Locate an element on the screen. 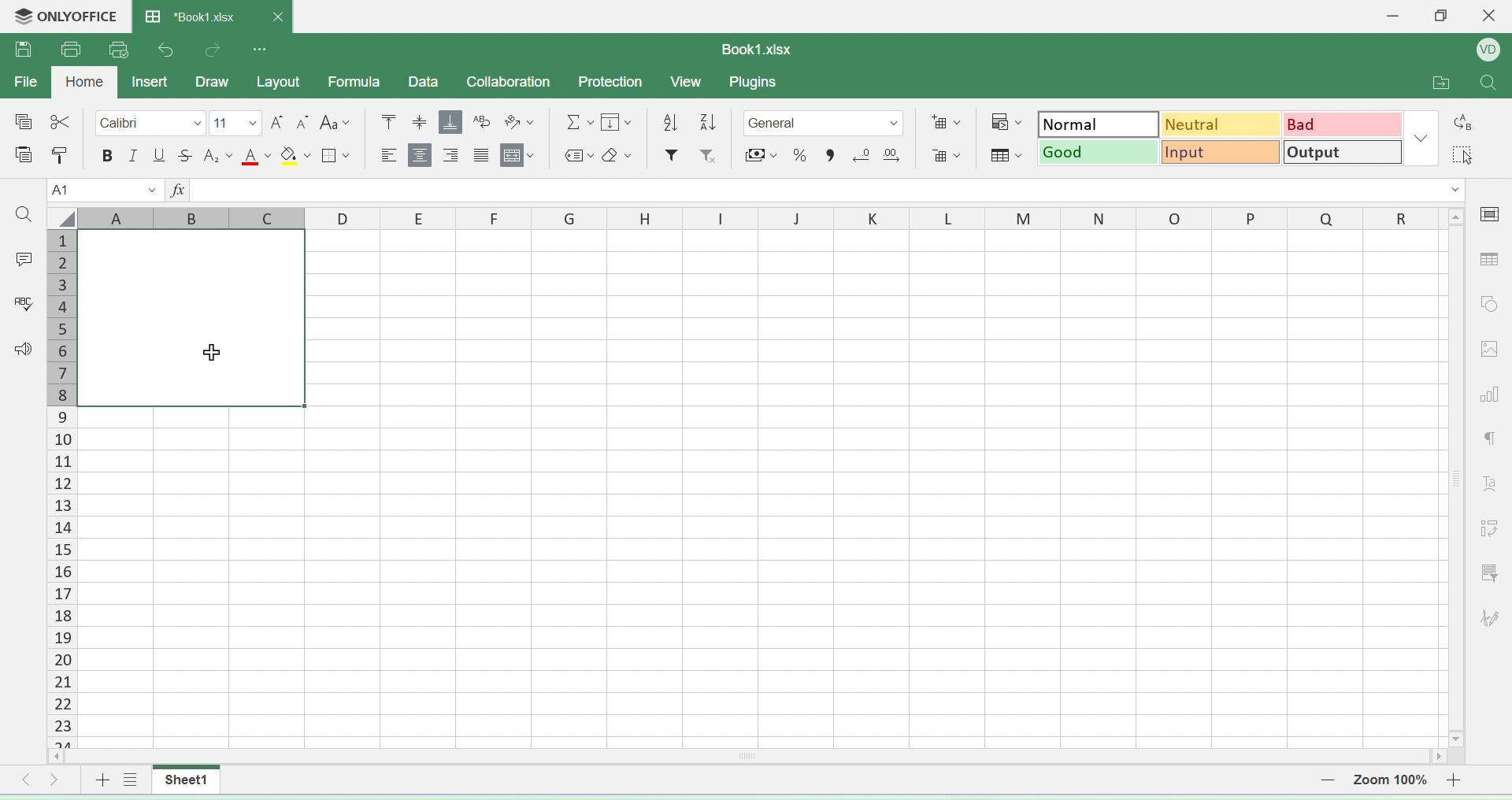 The height and width of the screenshot is (800, 1512). paste is located at coordinates (26, 157).